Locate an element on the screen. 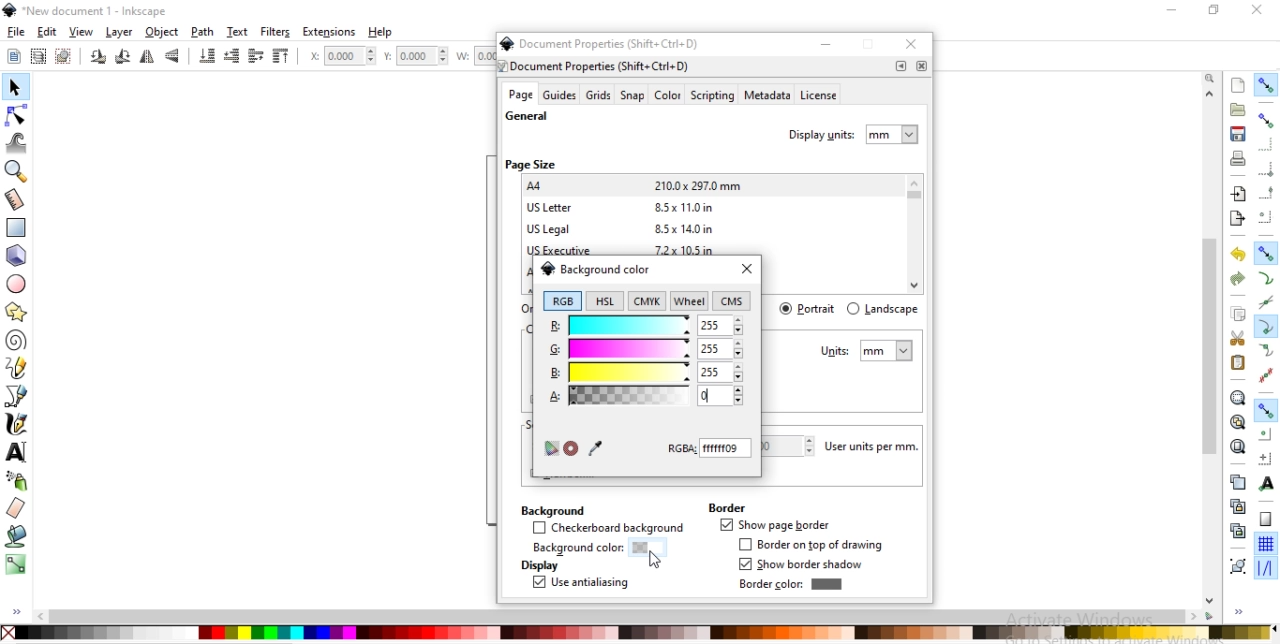  color is located at coordinates (667, 97).